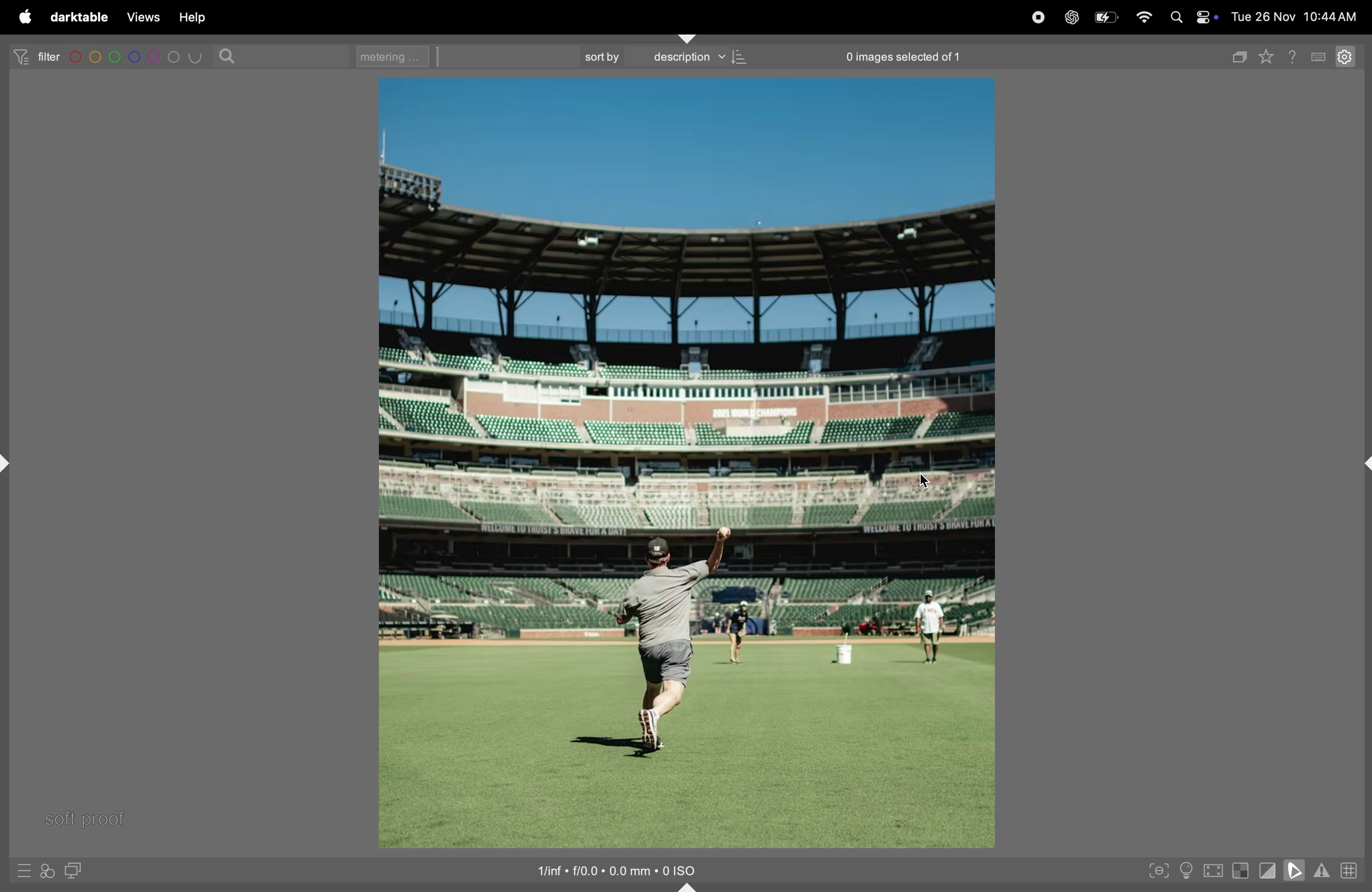 The height and width of the screenshot is (892, 1372). What do you see at coordinates (1295, 16) in the screenshot?
I see `date and time` at bounding box center [1295, 16].